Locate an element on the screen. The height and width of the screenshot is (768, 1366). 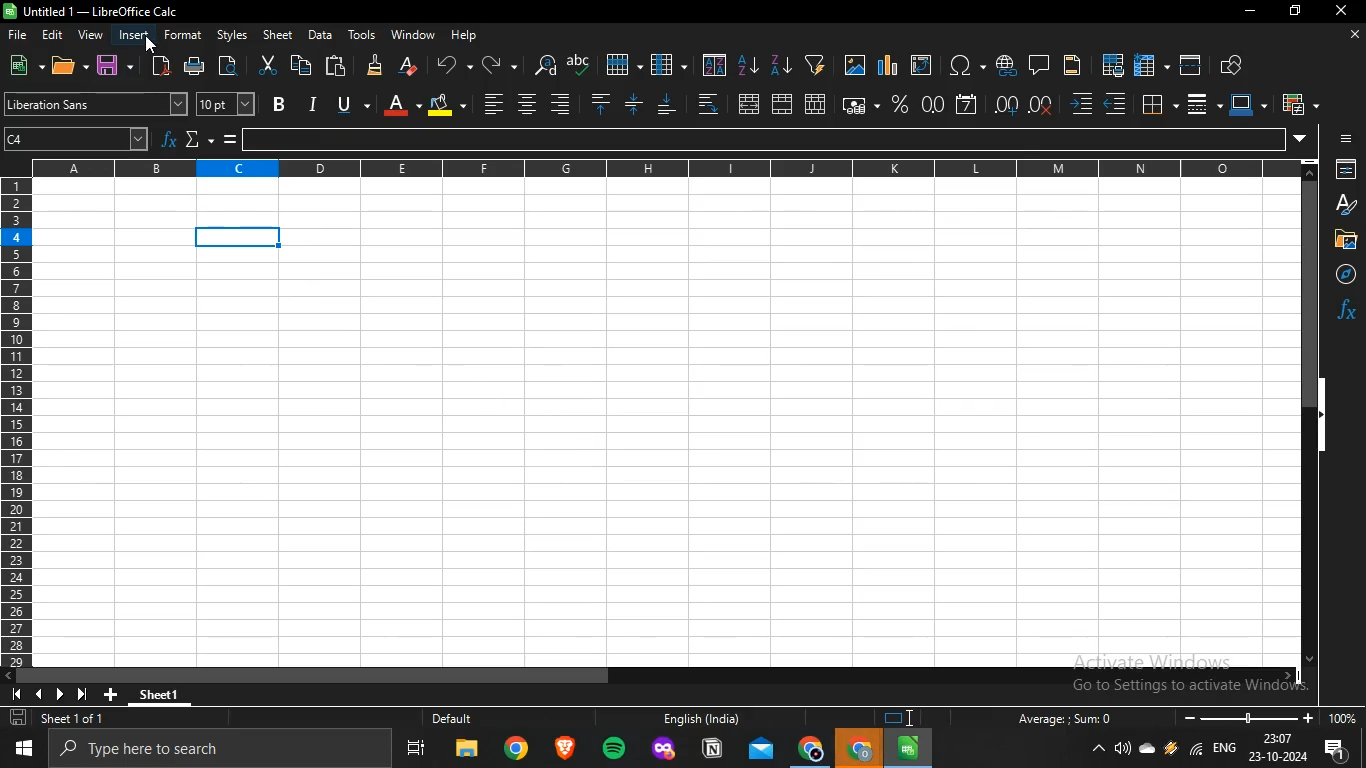
conditional is located at coordinates (1296, 104).